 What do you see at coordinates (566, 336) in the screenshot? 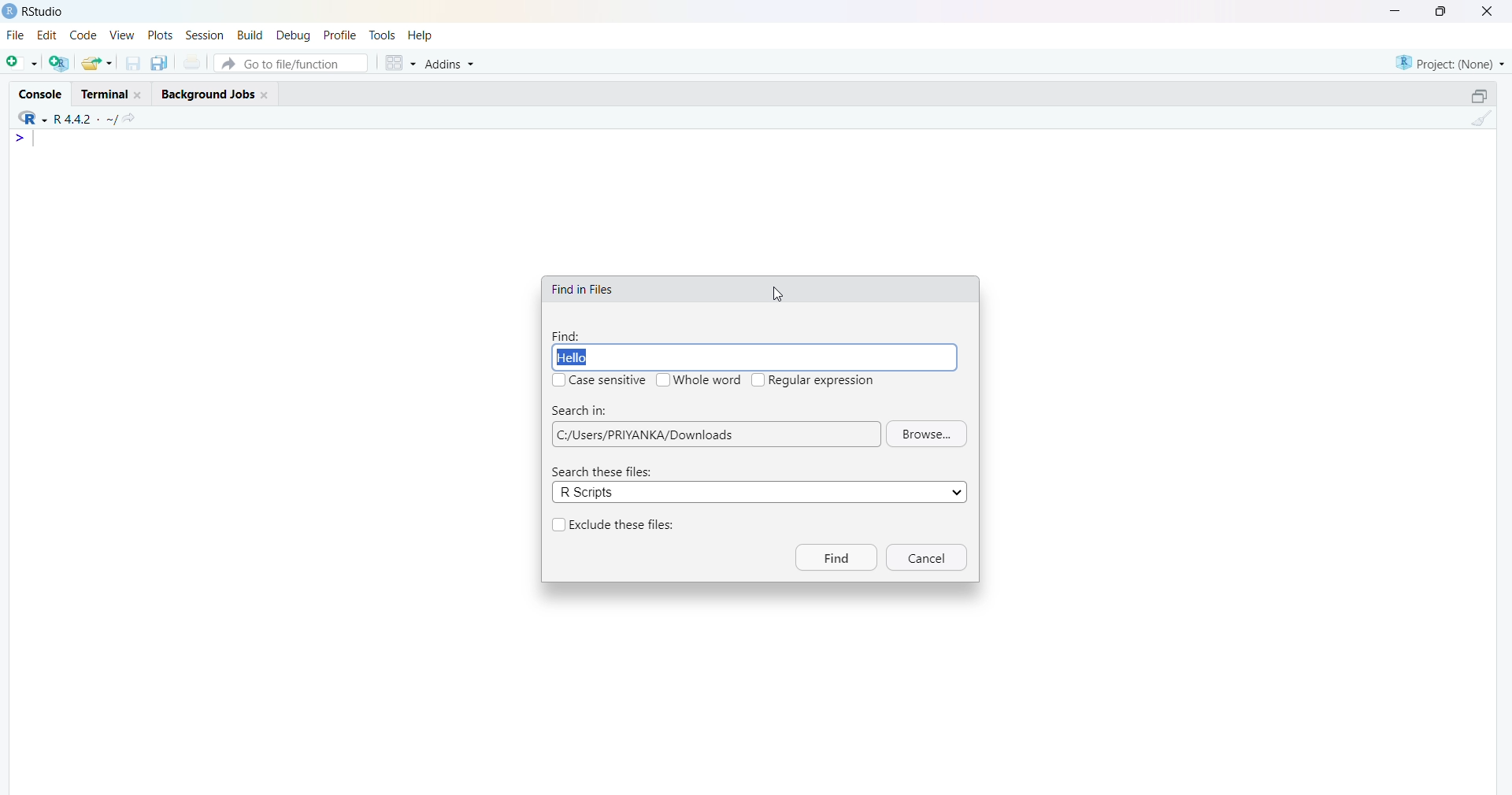
I see `Find:` at bounding box center [566, 336].